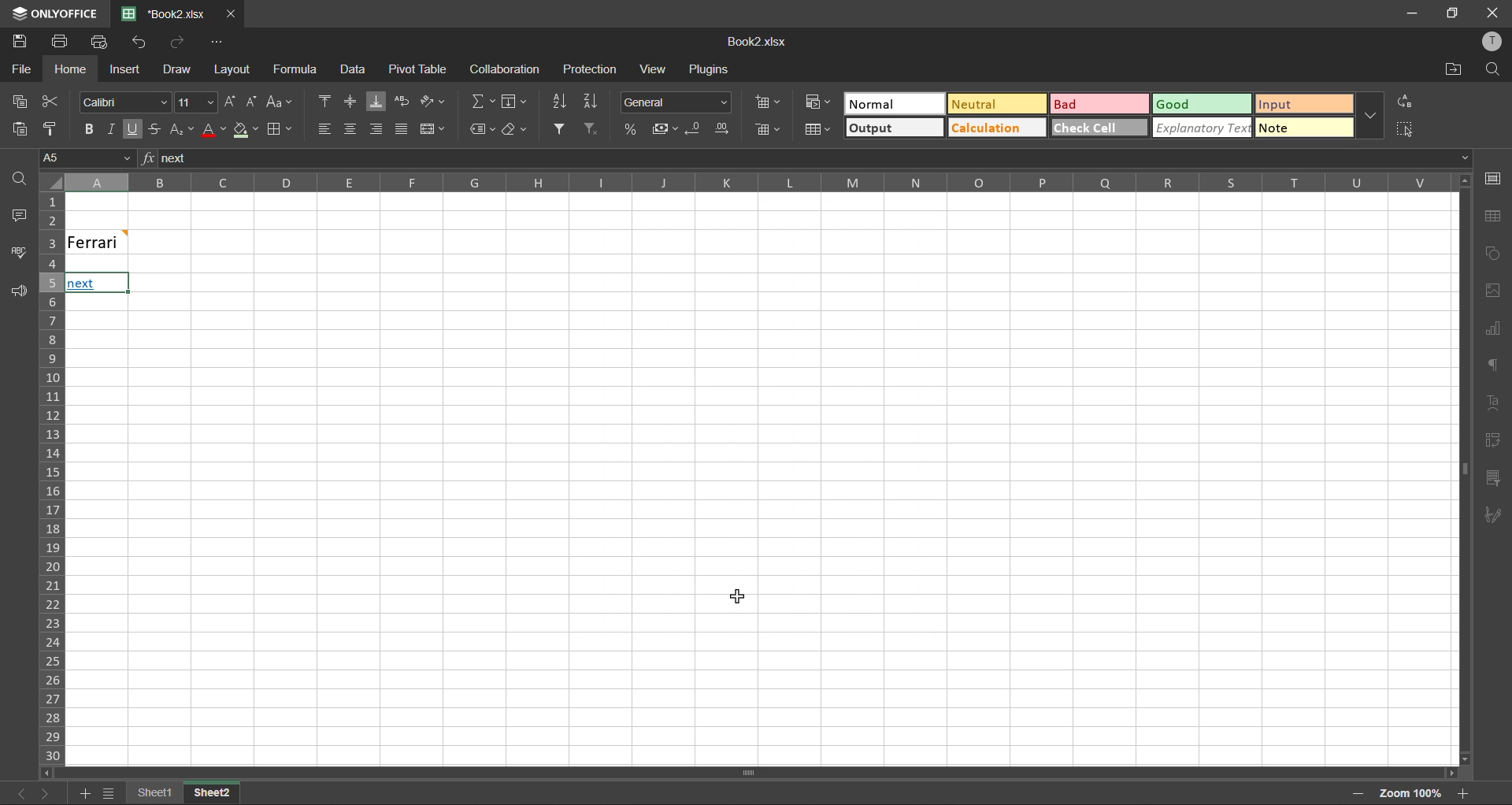 Image resolution: width=1512 pixels, height=805 pixels. Describe the element at coordinates (1492, 329) in the screenshot. I see `charts` at that location.